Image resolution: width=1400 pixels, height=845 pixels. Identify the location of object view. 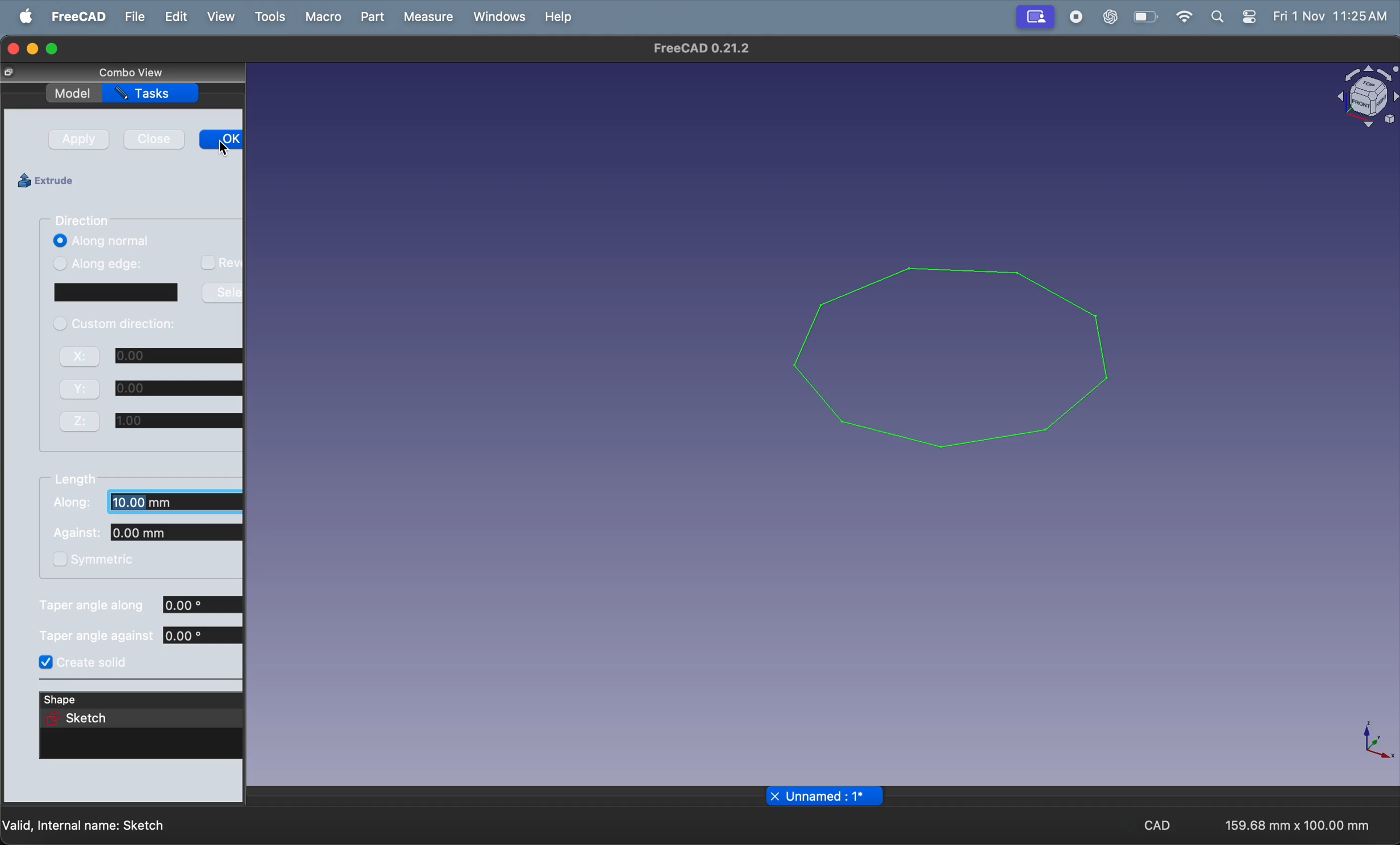
(1359, 97).